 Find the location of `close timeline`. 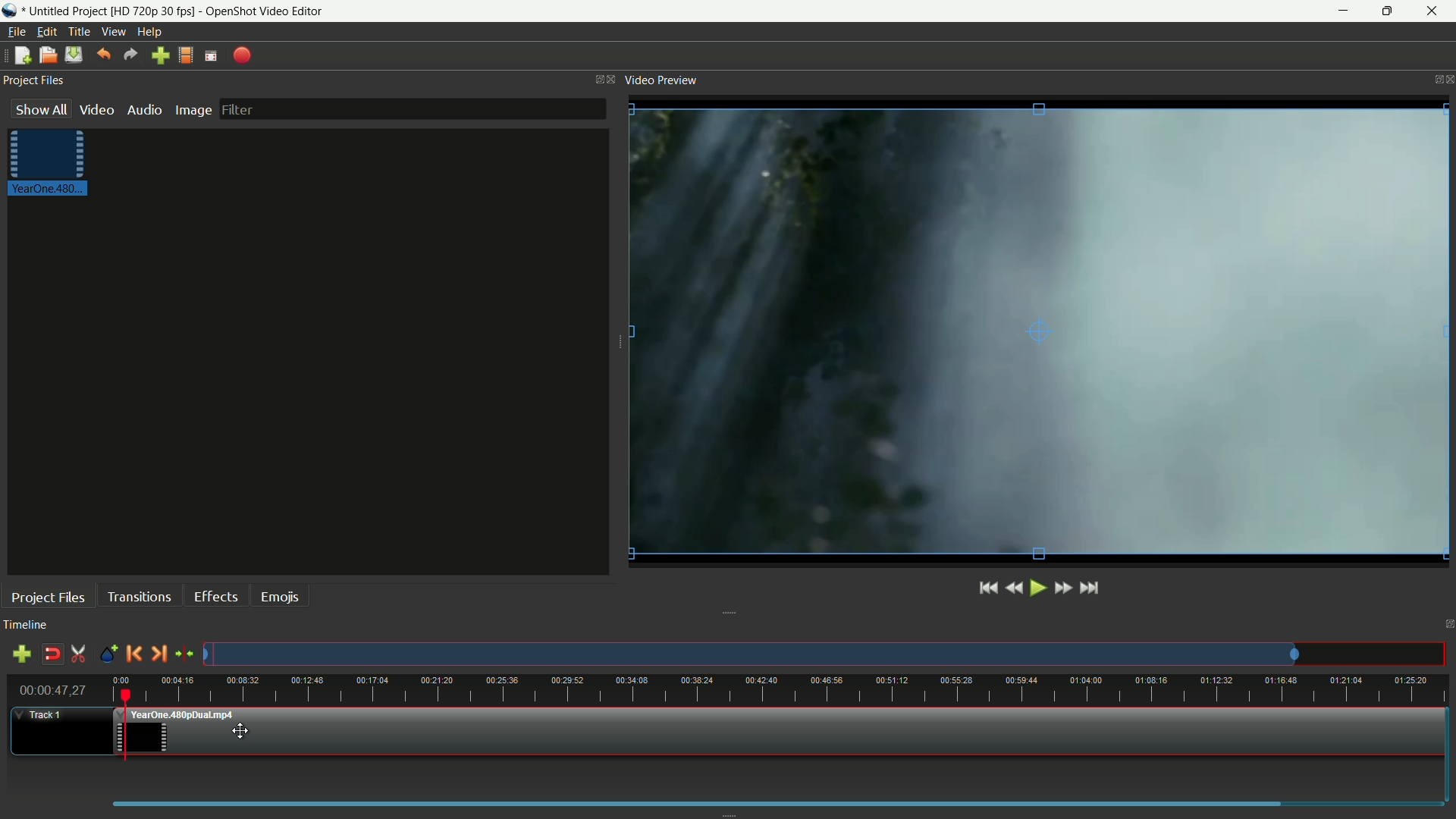

close timeline is located at coordinates (1447, 625).